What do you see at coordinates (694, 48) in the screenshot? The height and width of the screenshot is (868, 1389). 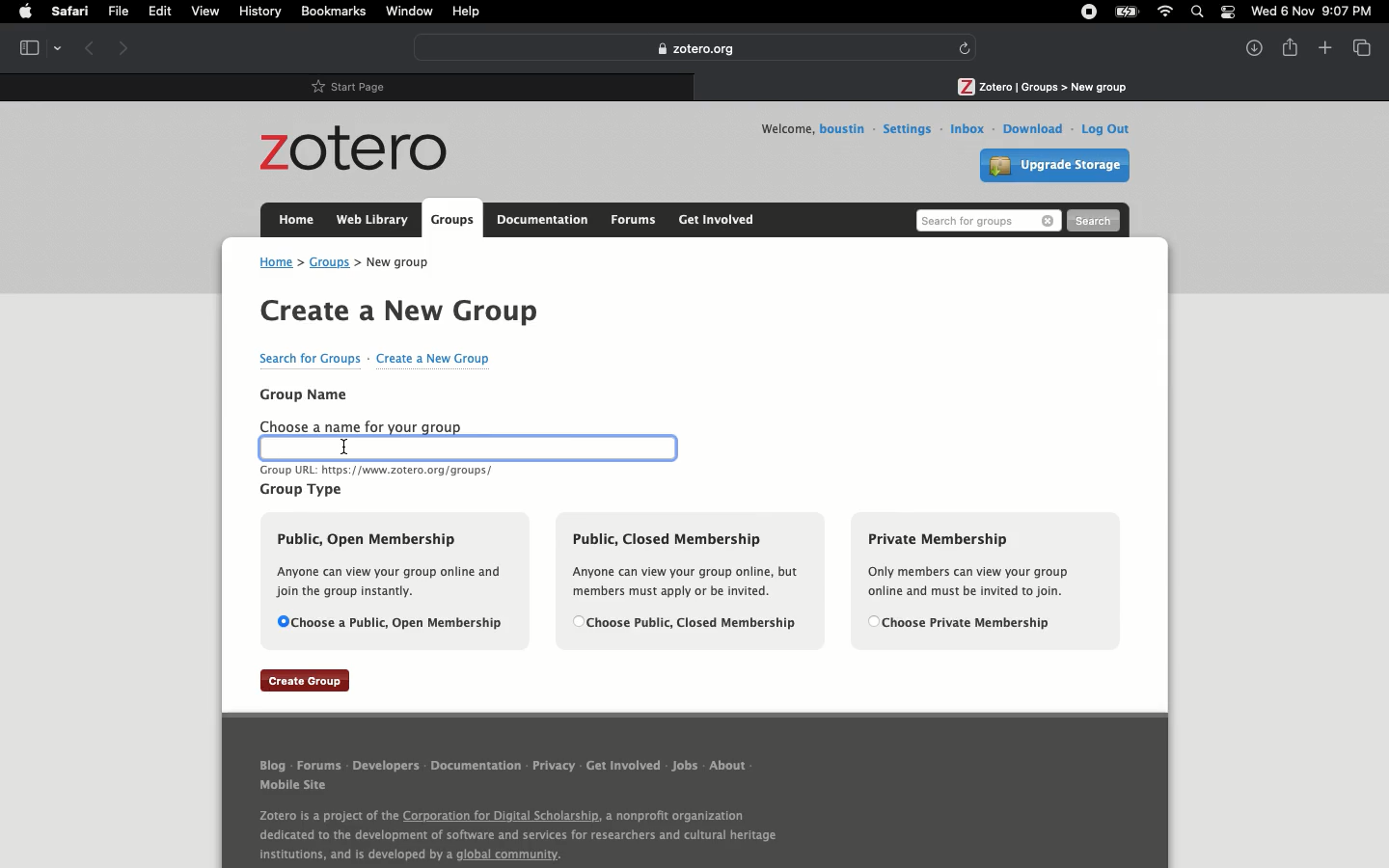 I see `Zotero` at bounding box center [694, 48].